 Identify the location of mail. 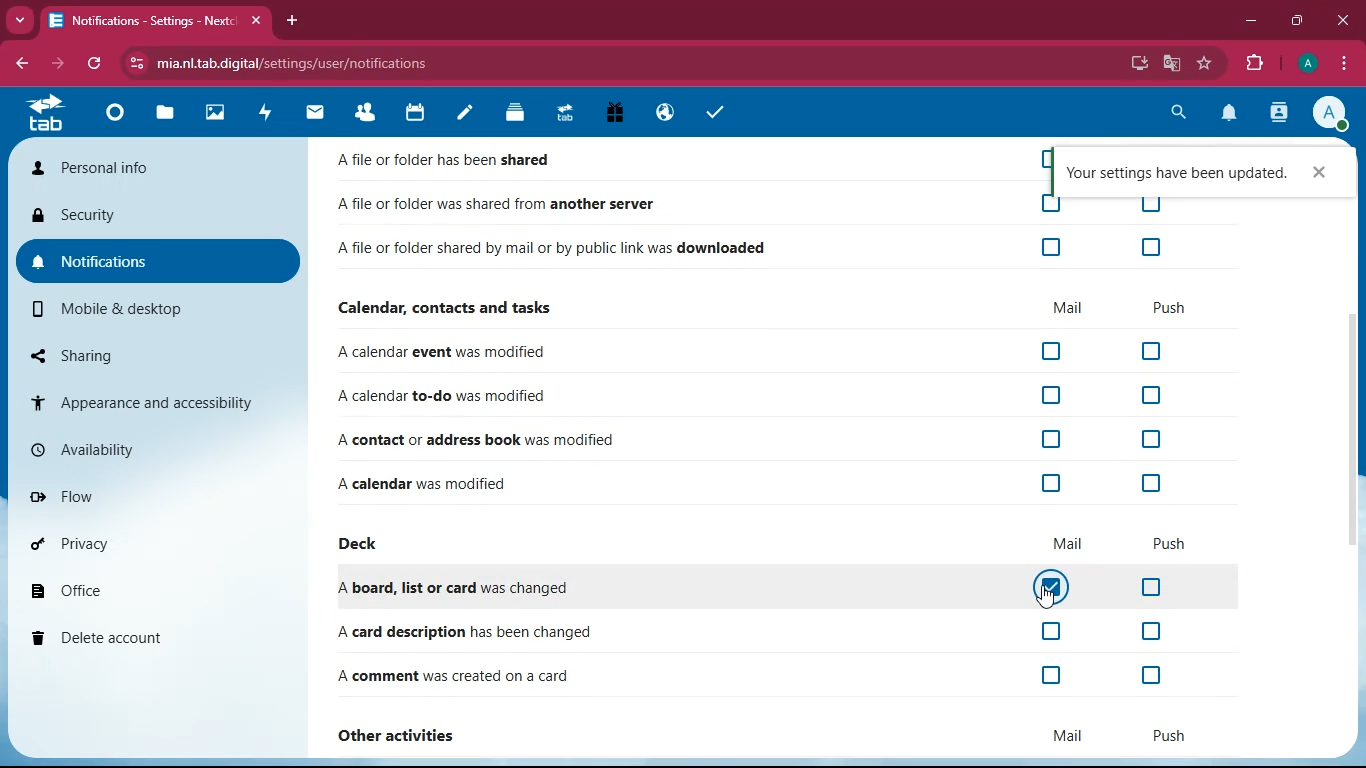
(1065, 736).